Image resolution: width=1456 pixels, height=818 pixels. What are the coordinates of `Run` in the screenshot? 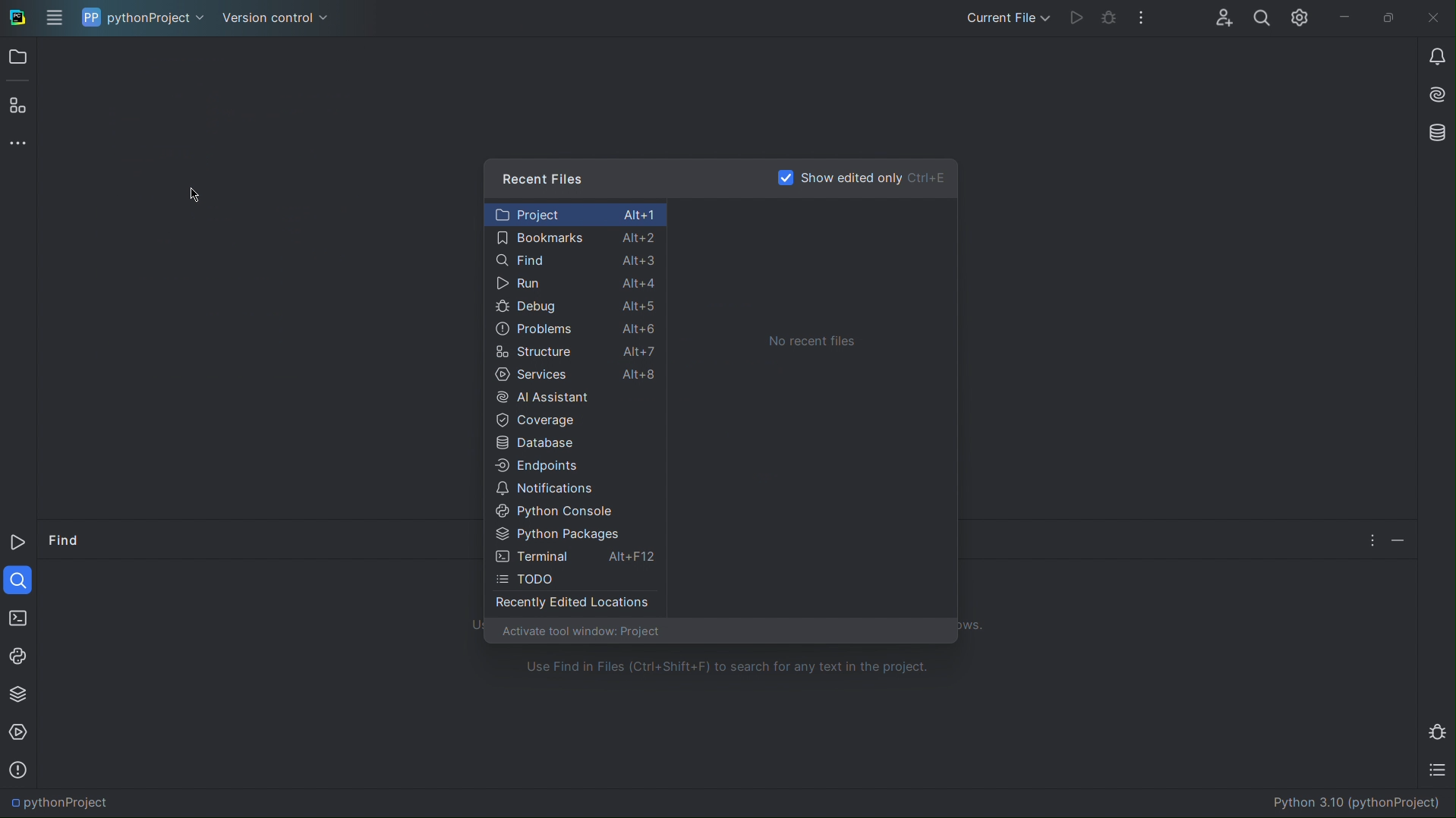 It's located at (19, 545).